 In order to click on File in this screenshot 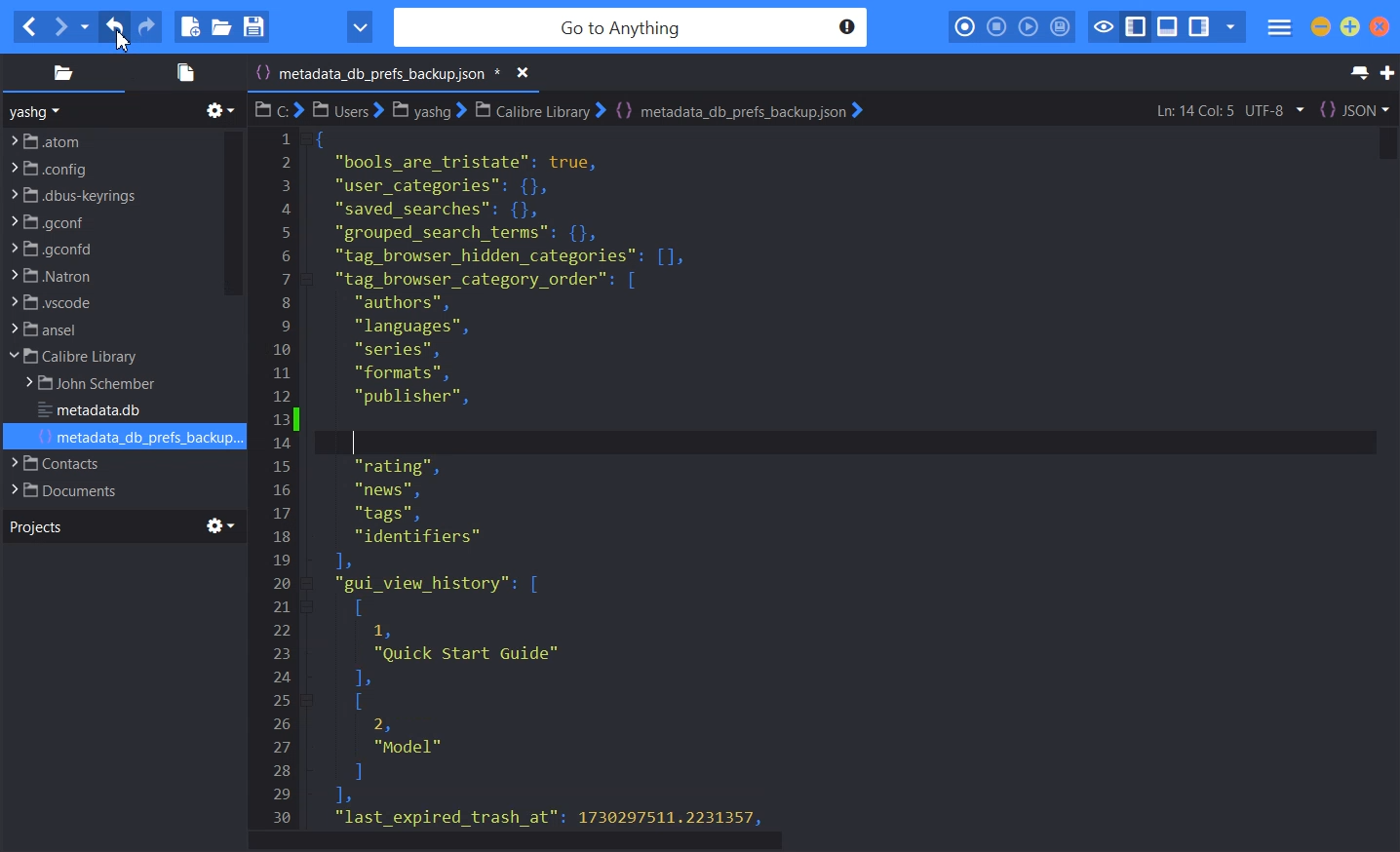, I will do `click(111, 139)`.